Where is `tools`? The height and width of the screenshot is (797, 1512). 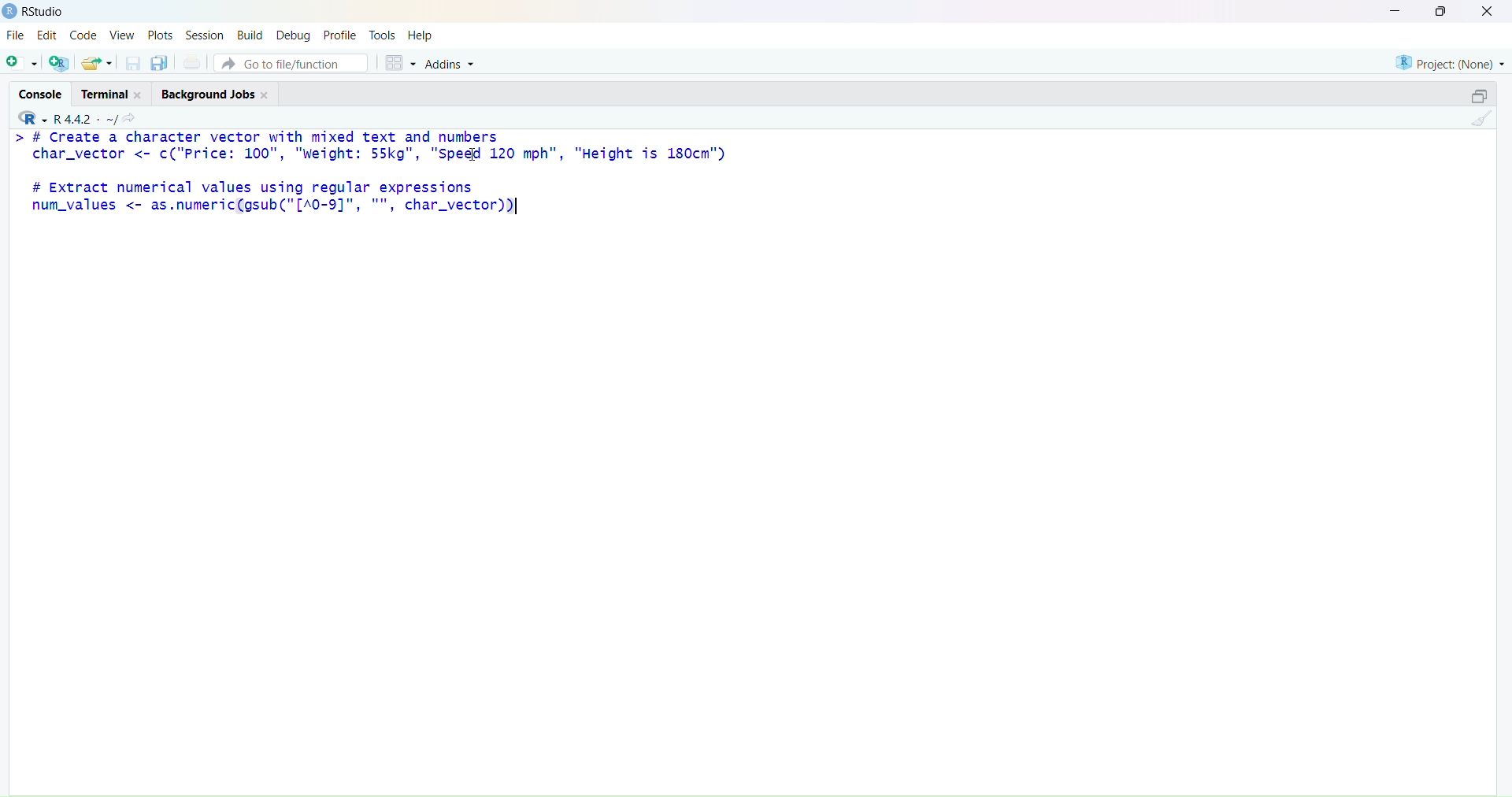 tools is located at coordinates (383, 35).